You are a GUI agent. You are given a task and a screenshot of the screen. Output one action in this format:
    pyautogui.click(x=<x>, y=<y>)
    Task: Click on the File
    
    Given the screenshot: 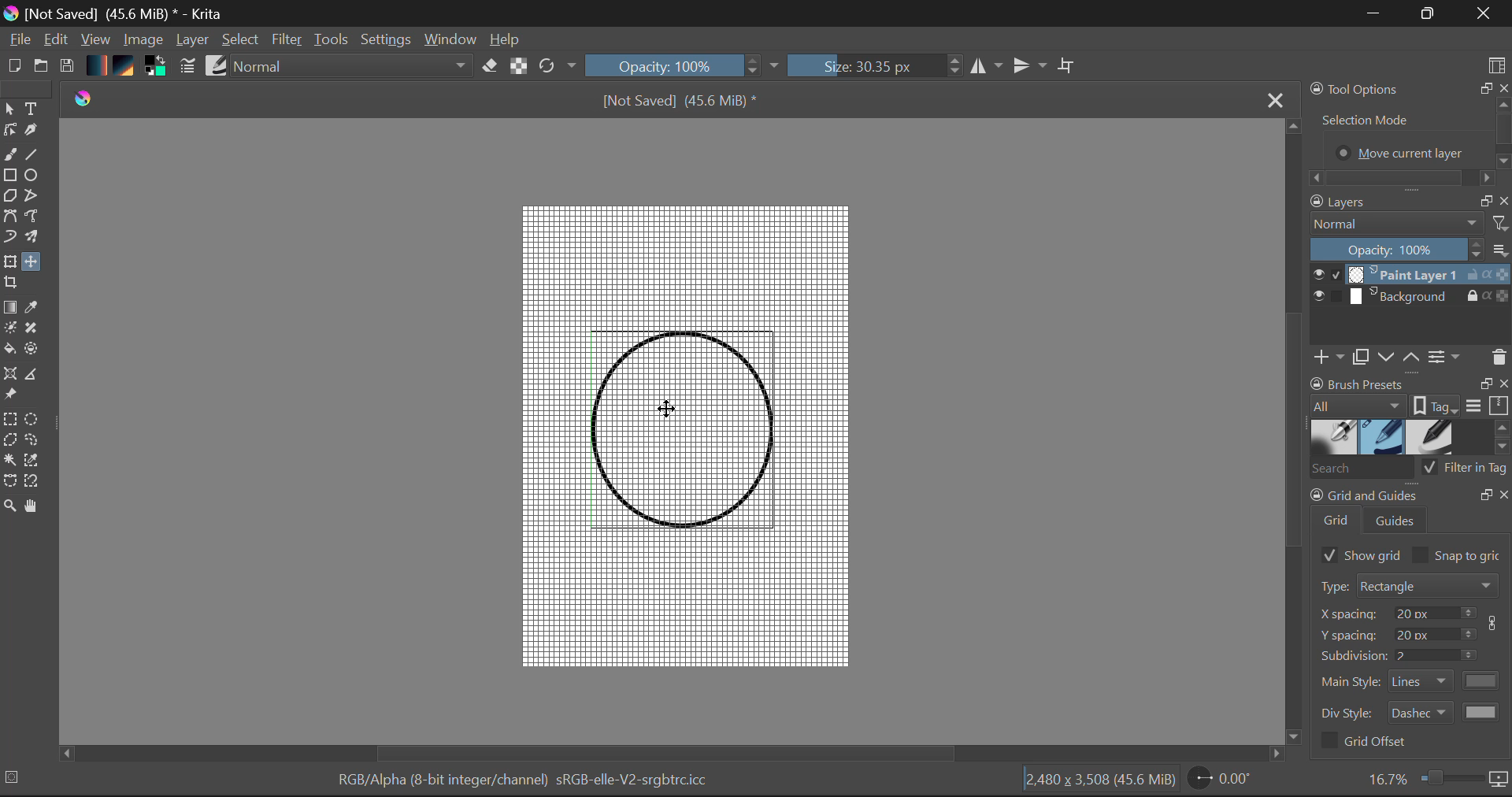 What is the action you would take?
    pyautogui.click(x=18, y=39)
    